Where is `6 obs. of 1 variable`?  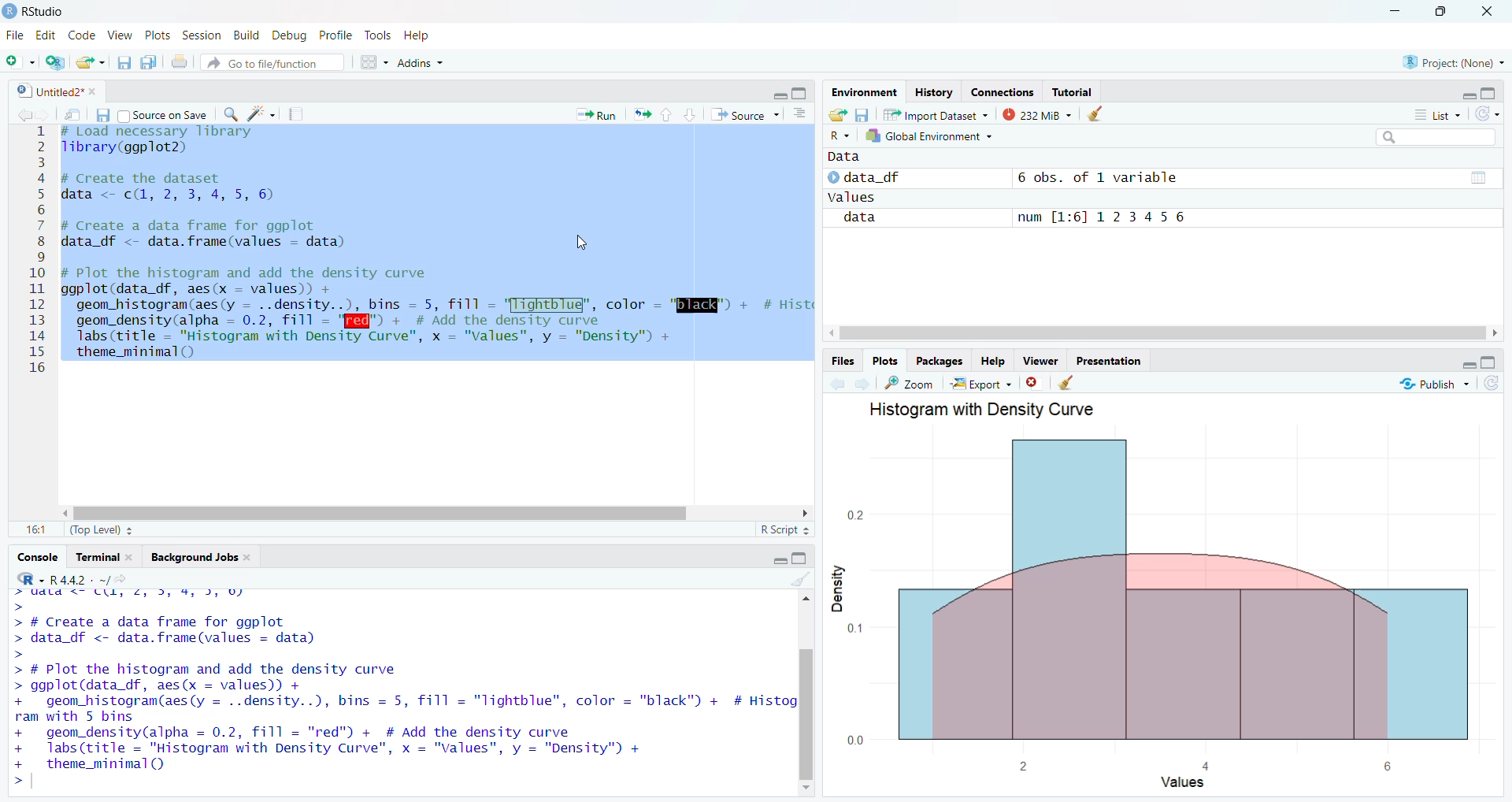
6 obs. of 1 variable is located at coordinates (1106, 176).